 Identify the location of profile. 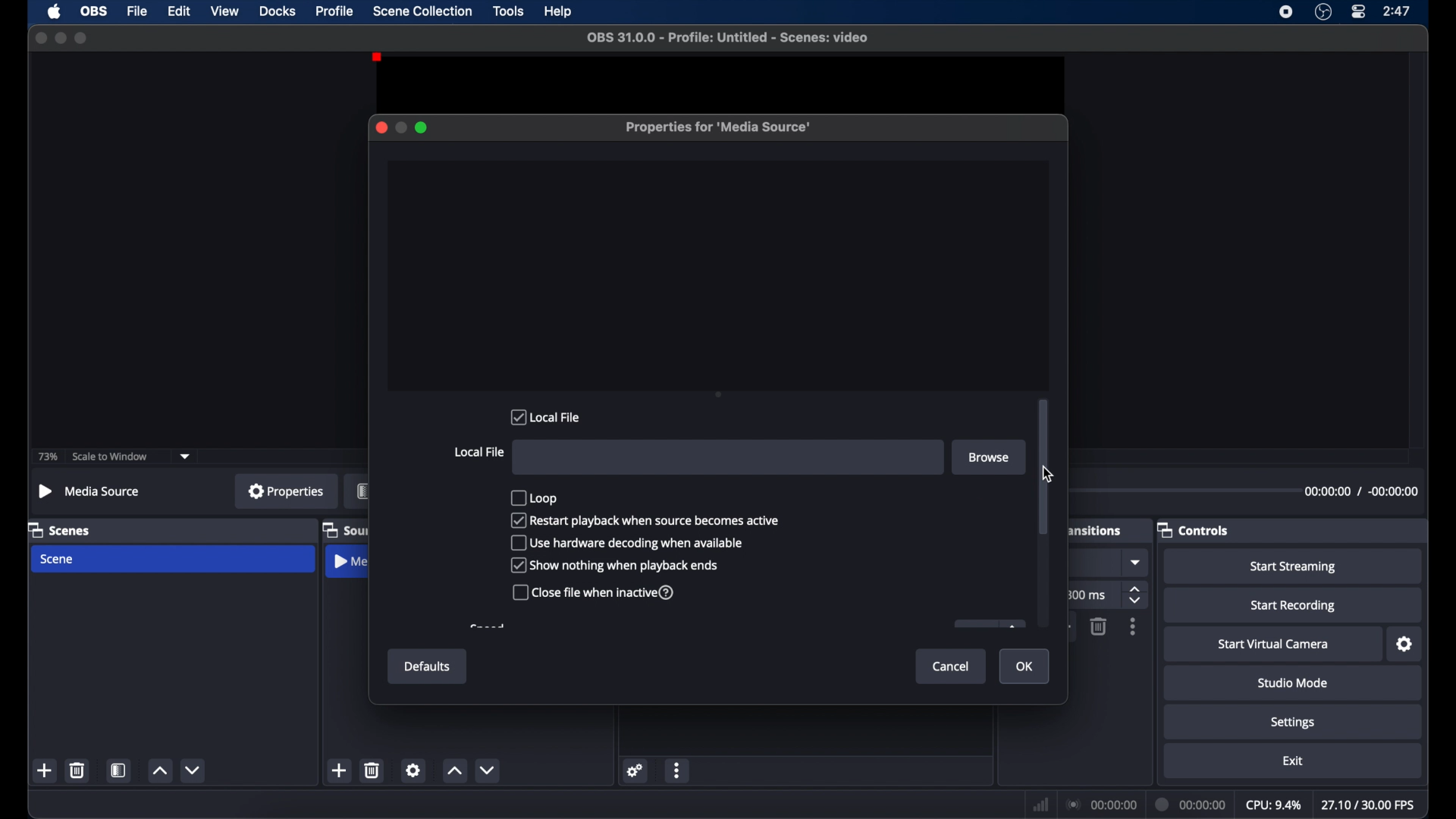
(335, 11).